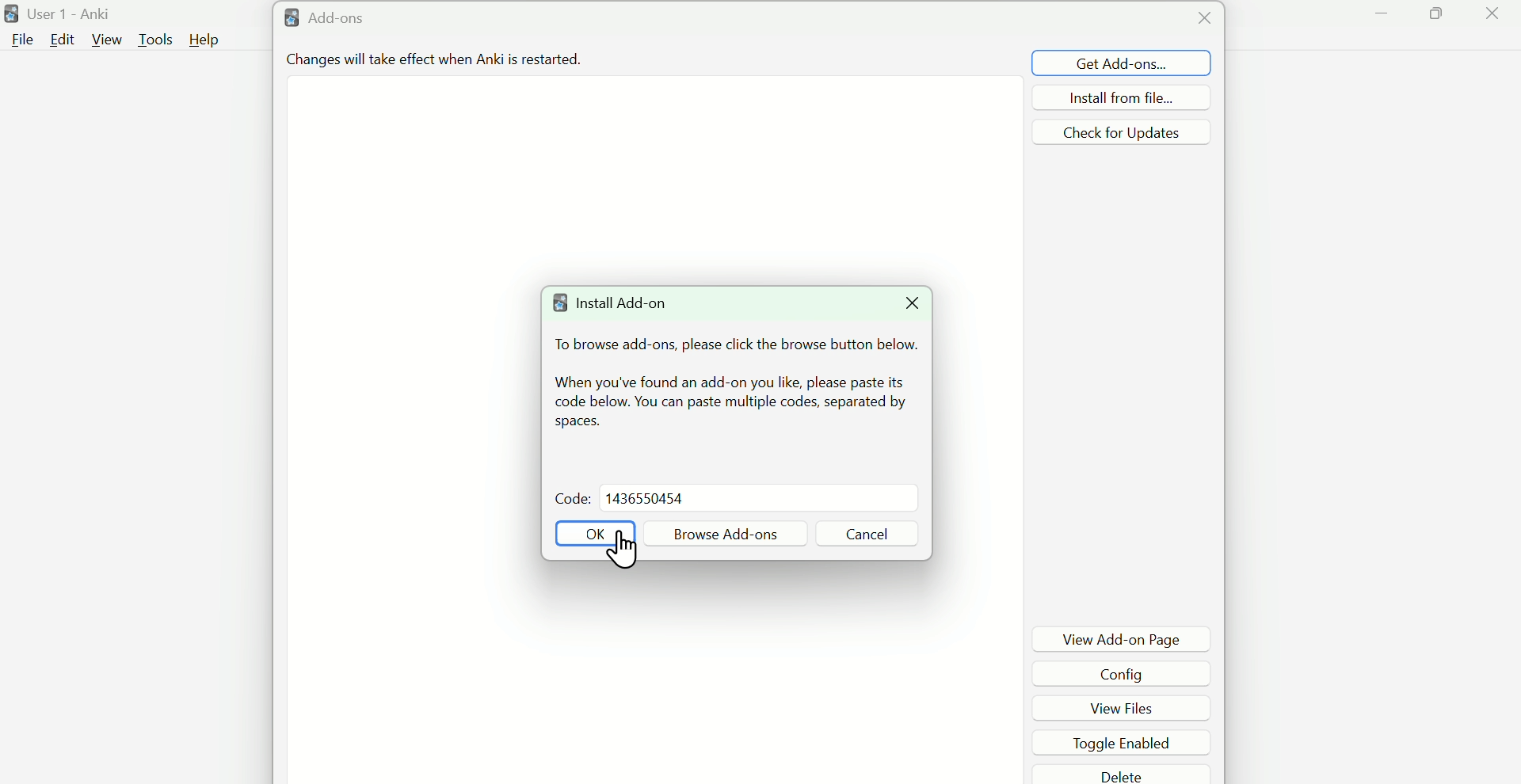 This screenshot has height=784, width=1521. What do you see at coordinates (107, 40) in the screenshot?
I see `View` at bounding box center [107, 40].